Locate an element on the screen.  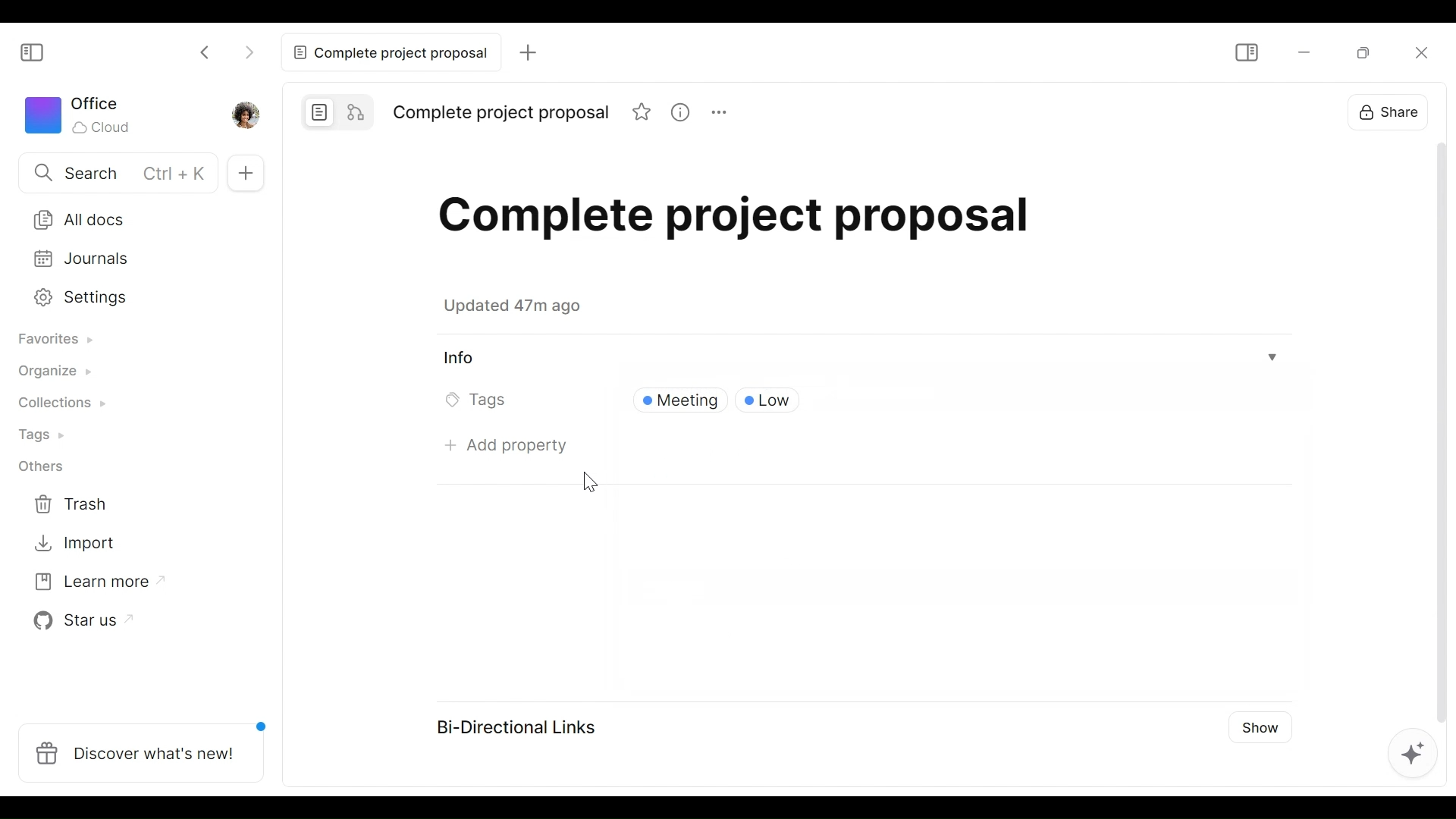
Discover what's new is located at coordinates (142, 751).